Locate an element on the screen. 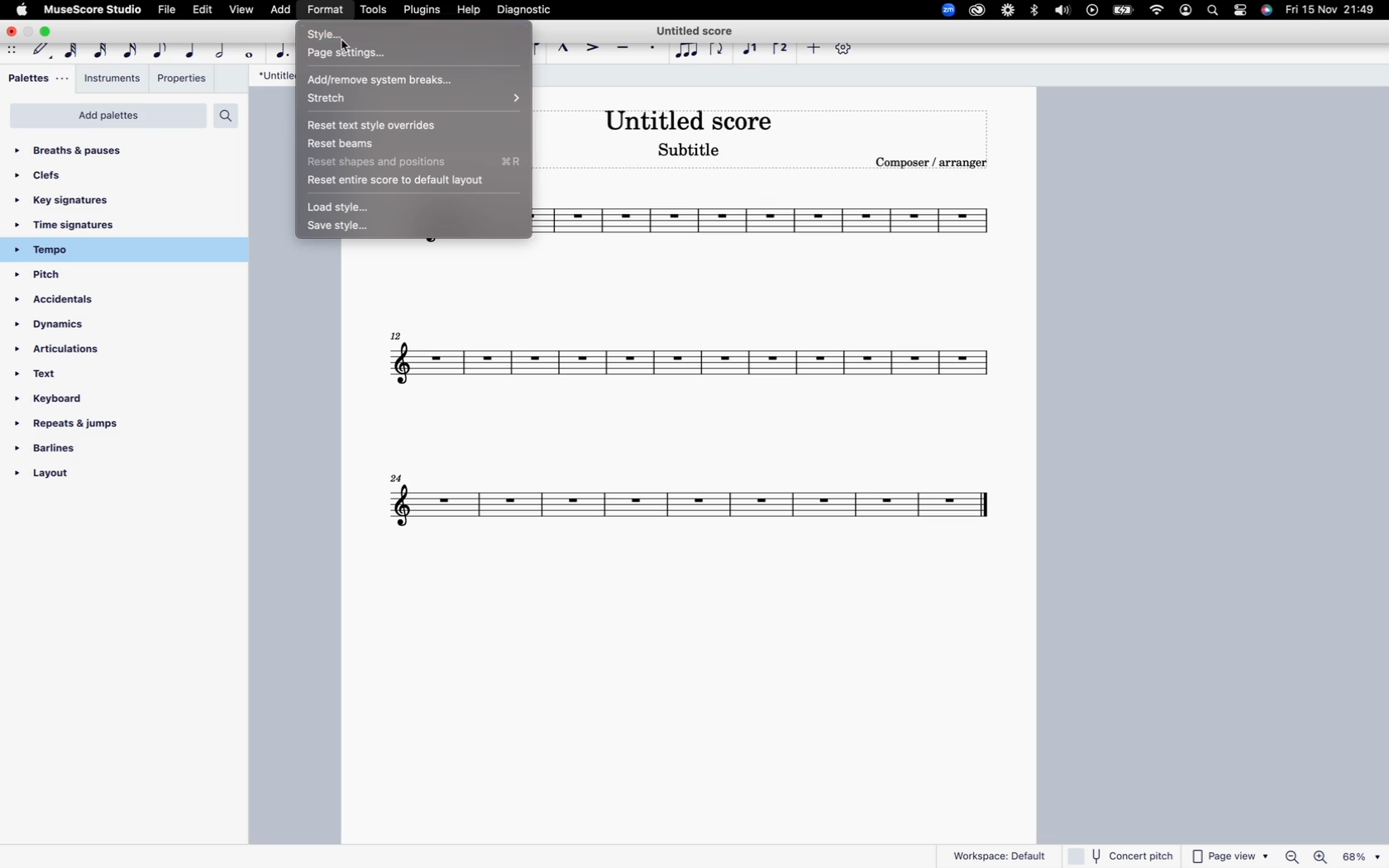  battery is located at coordinates (1124, 10).